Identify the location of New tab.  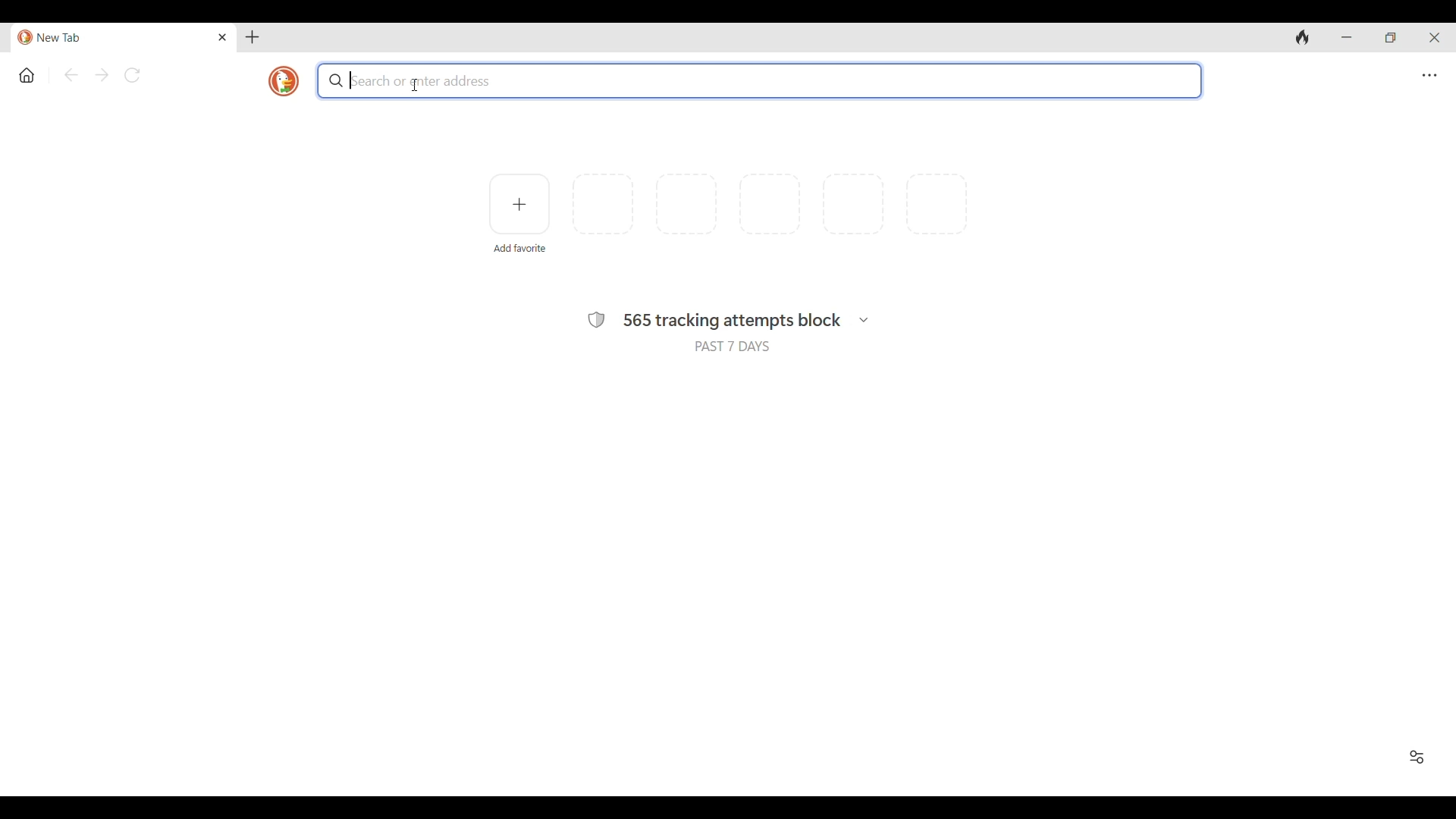
(114, 38).